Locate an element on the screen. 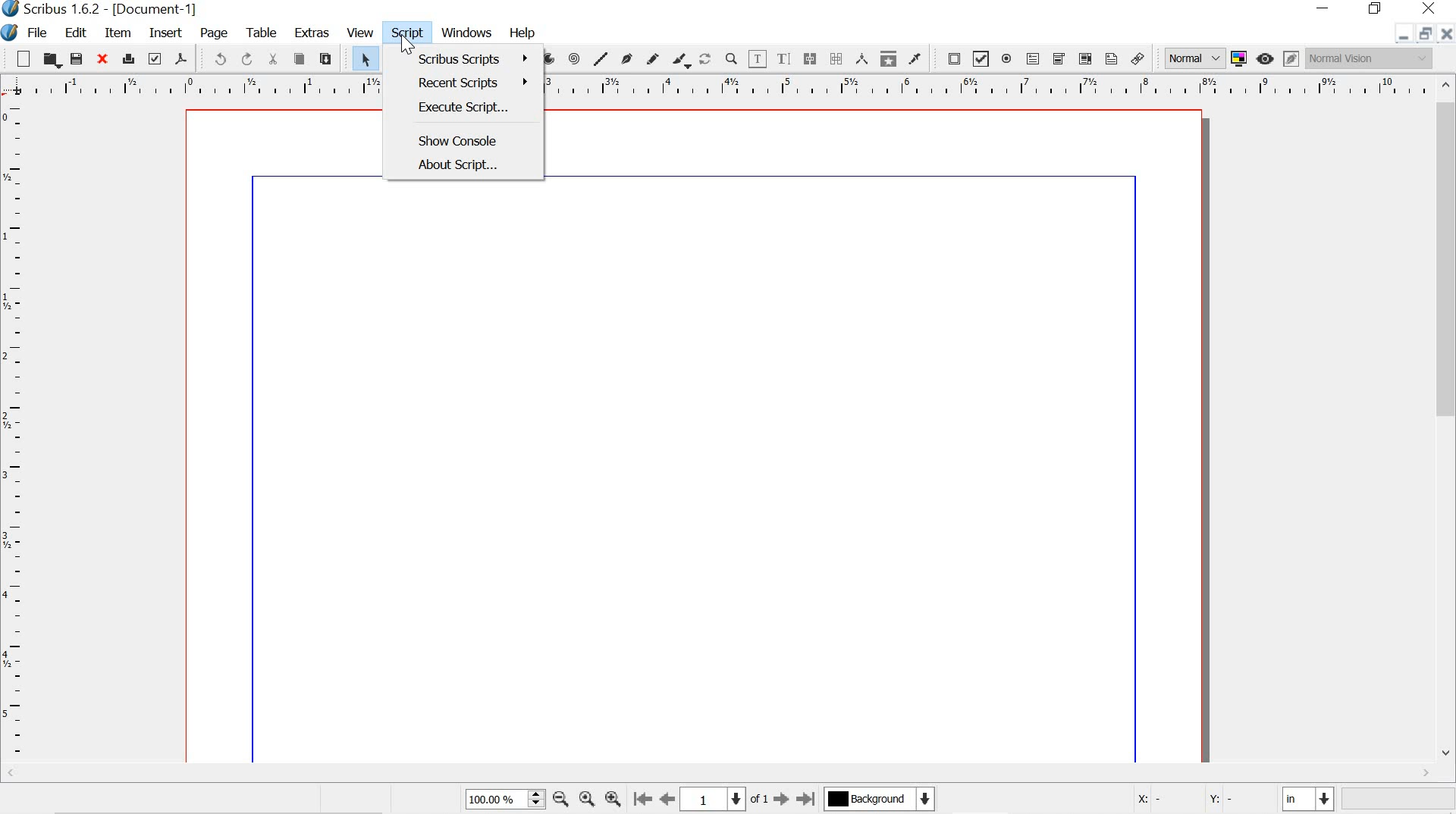 Image resolution: width=1456 pixels, height=814 pixels. edit is located at coordinates (75, 32).